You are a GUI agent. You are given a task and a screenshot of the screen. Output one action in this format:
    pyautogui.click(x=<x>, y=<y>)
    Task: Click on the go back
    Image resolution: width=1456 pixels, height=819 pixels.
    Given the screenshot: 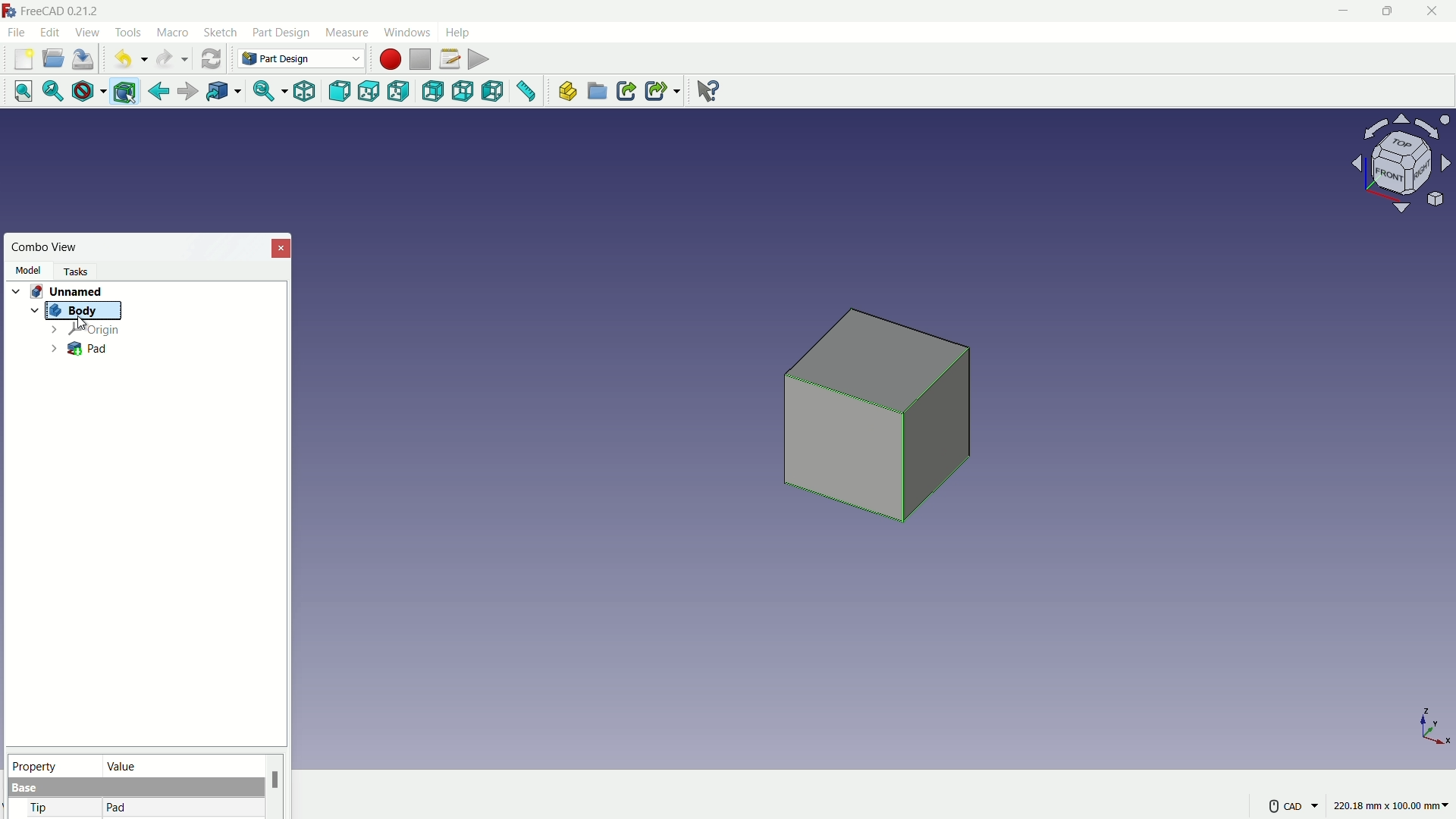 What is the action you would take?
    pyautogui.click(x=159, y=92)
    